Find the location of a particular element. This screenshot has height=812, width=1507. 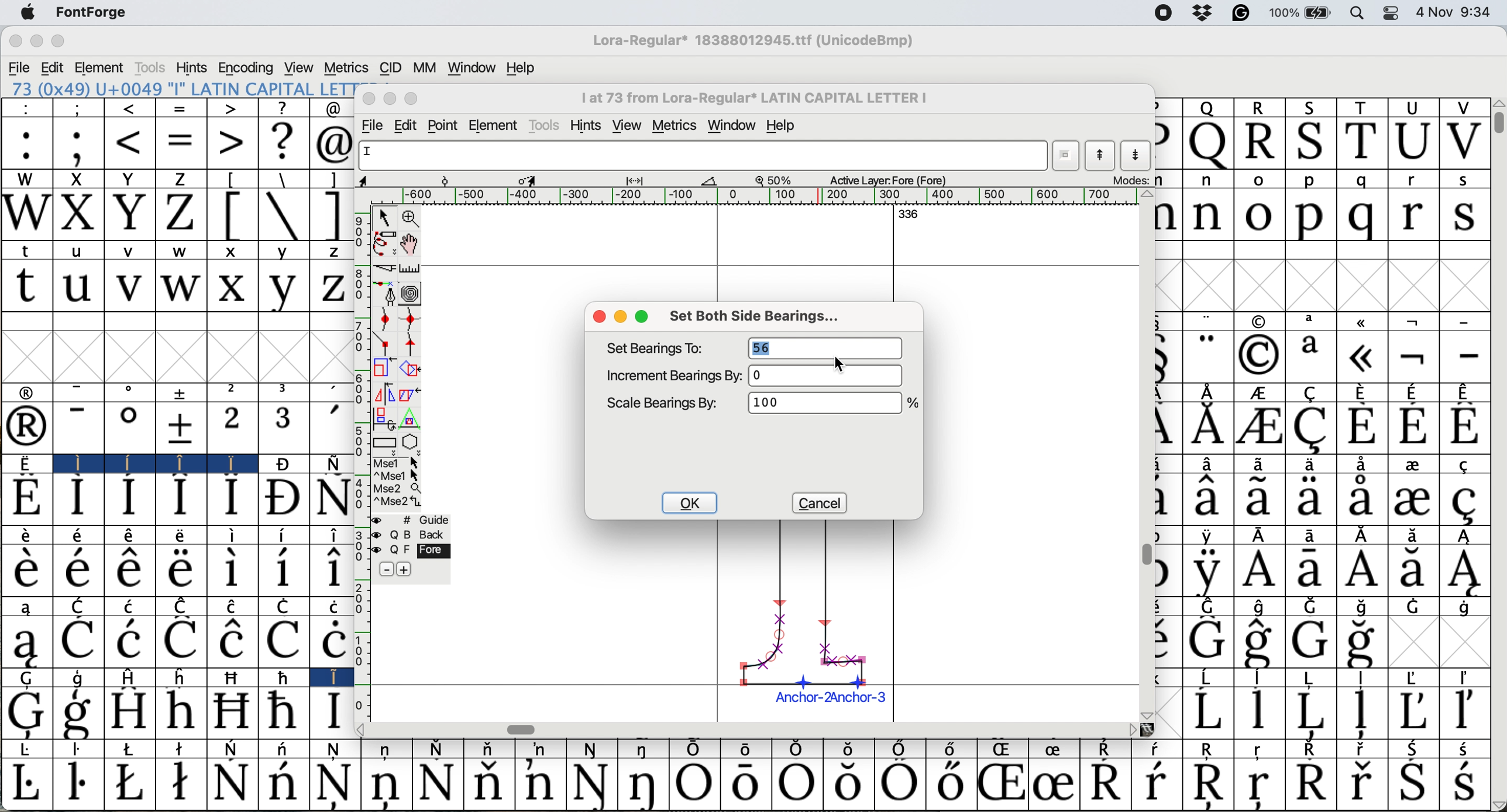

horizontal scale is located at coordinates (752, 197).